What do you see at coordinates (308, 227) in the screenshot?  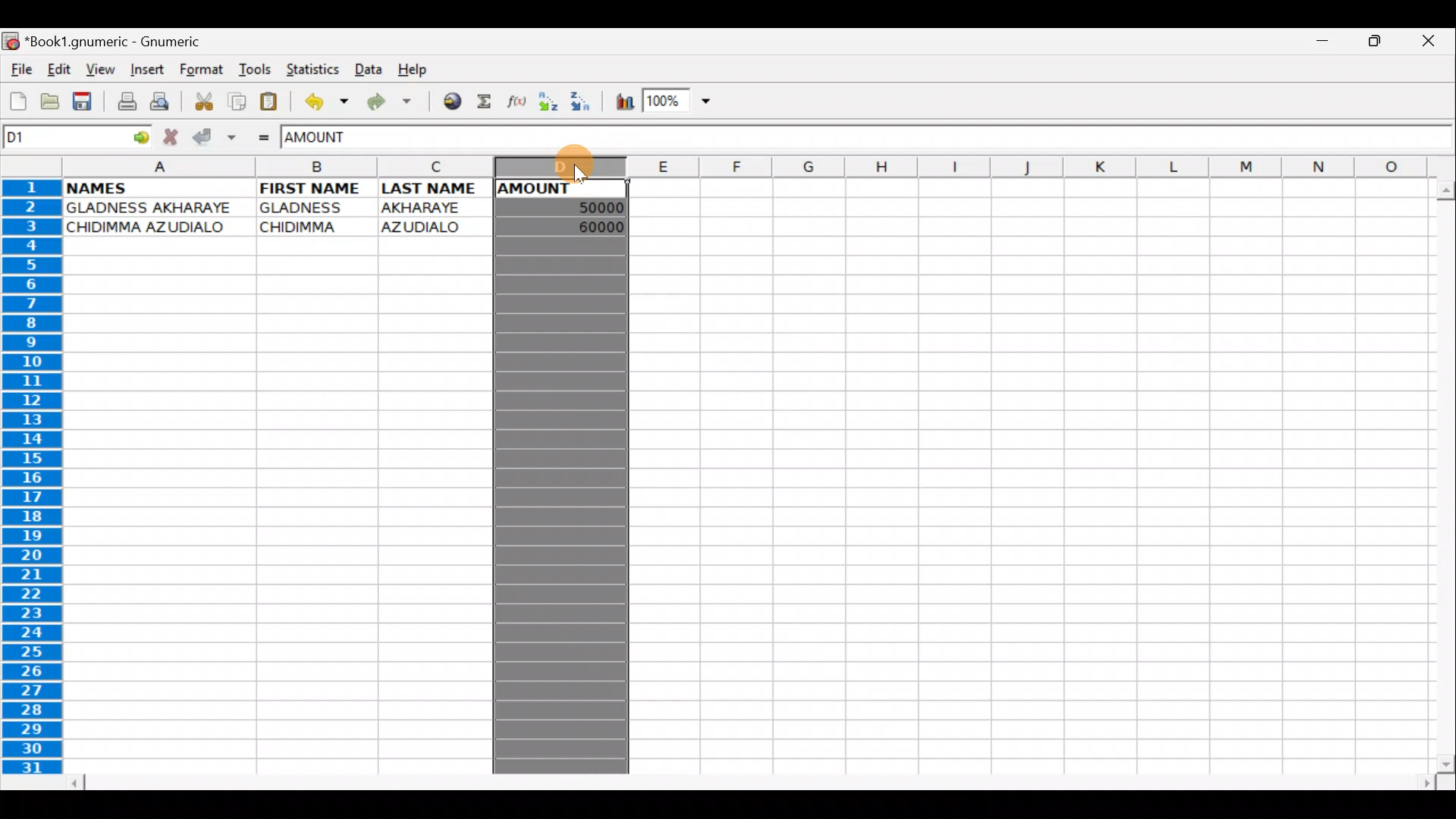 I see `CHIDIMMA` at bounding box center [308, 227].